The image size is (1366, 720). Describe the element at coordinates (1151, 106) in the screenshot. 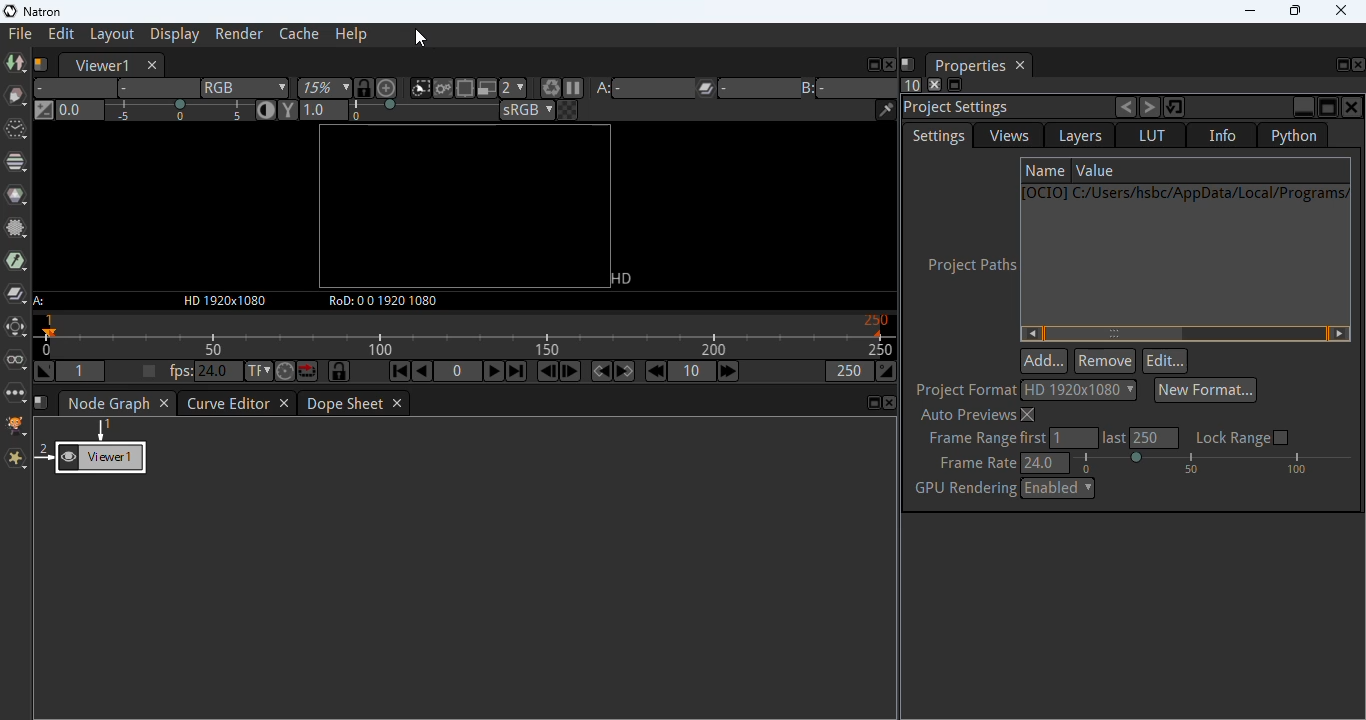

I see `redo the last change made to the operator` at that location.